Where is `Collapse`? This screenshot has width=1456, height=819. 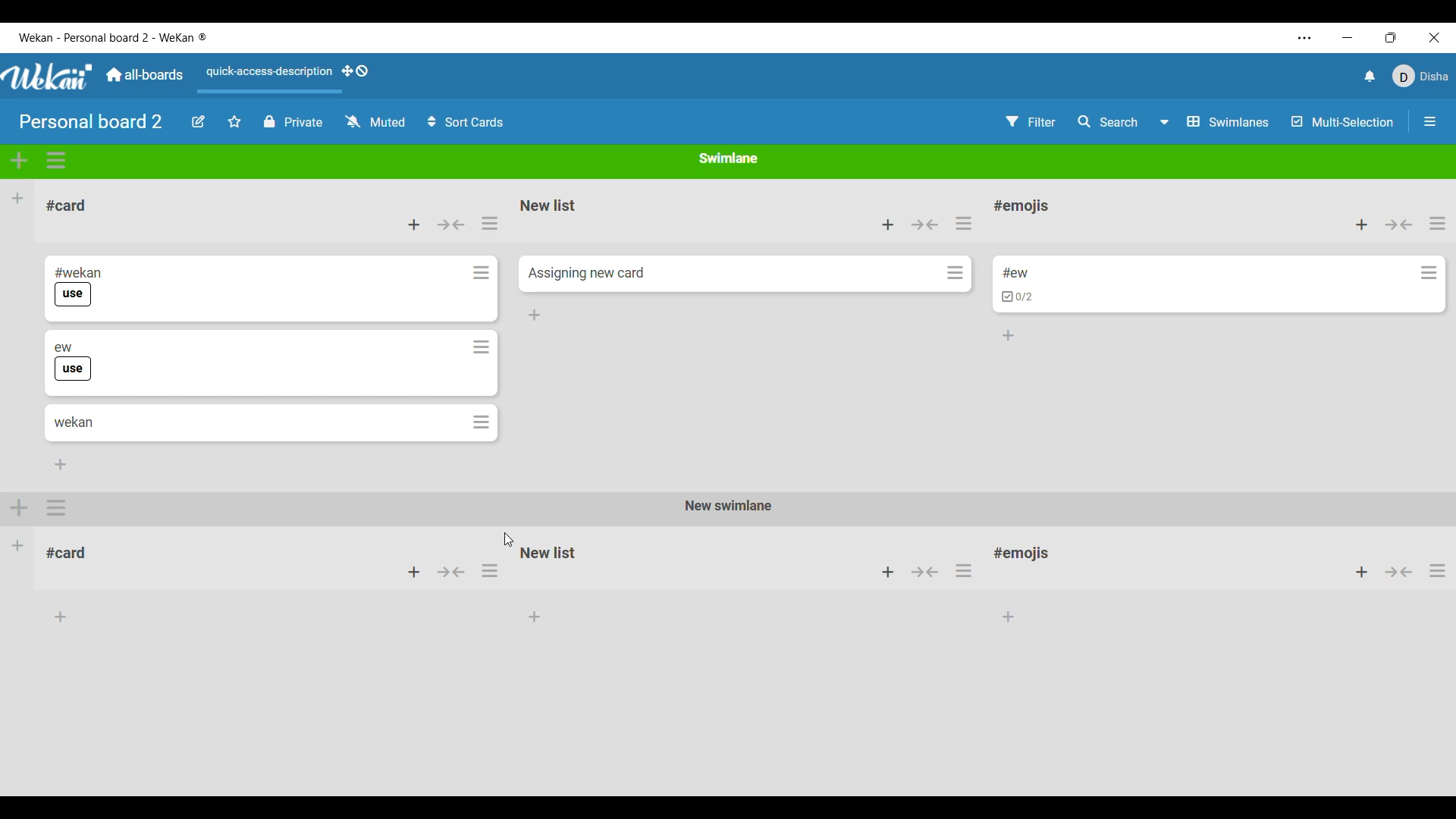 Collapse is located at coordinates (1399, 224).